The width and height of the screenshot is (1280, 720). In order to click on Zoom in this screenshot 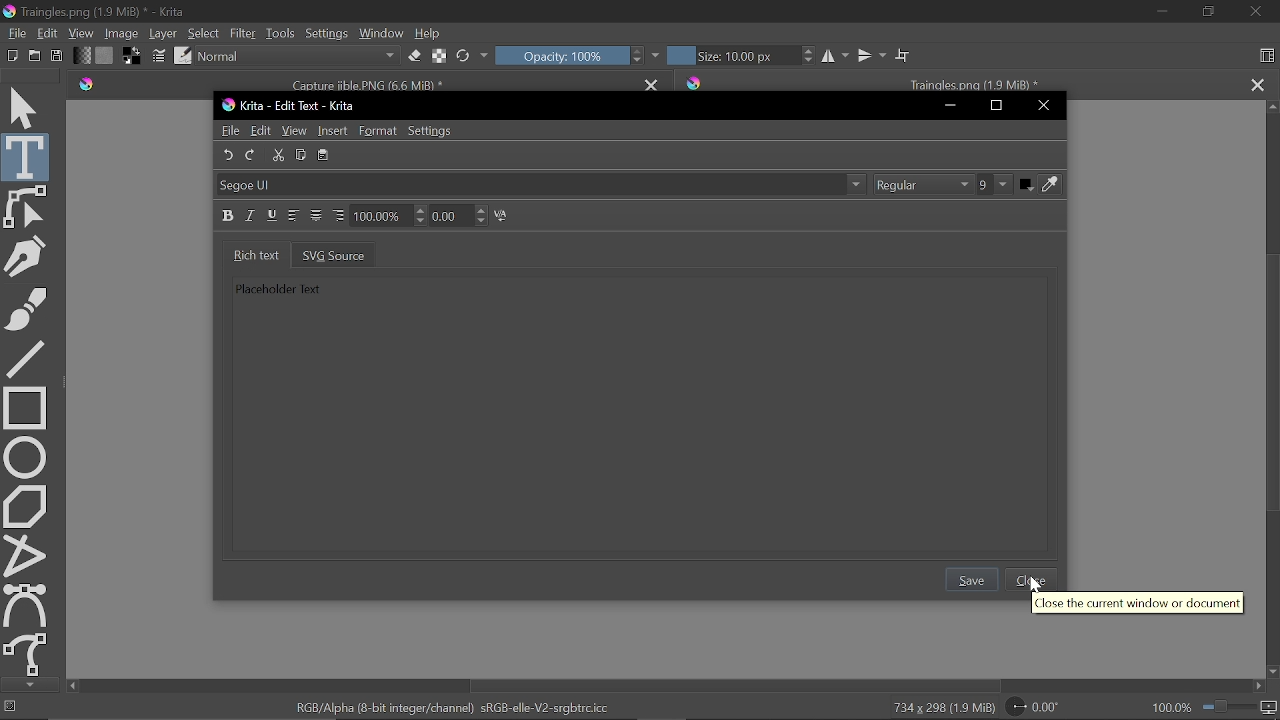, I will do `click(1240, 709)`.